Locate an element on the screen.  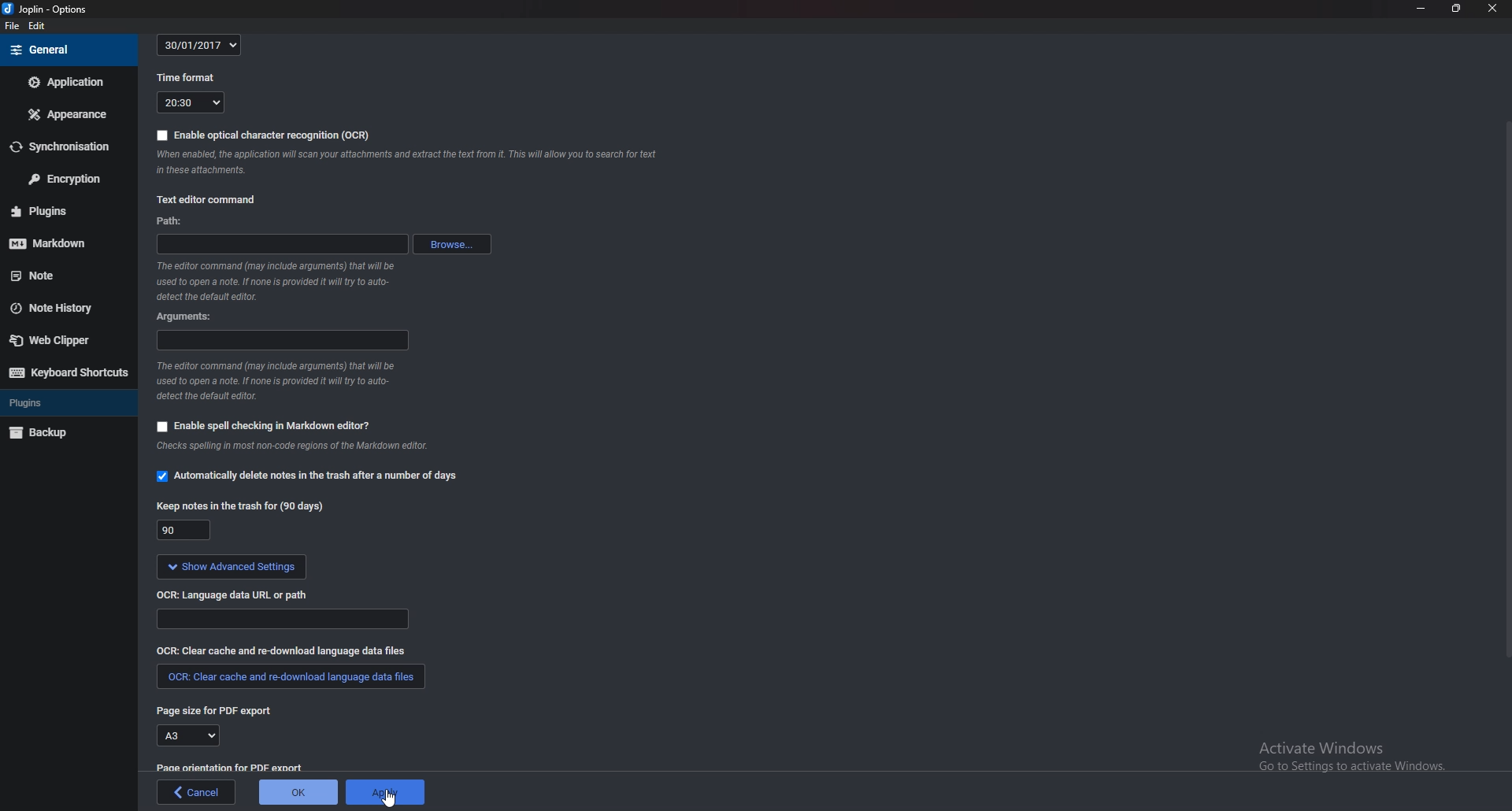
Note history is located at coordinates (61, 309).